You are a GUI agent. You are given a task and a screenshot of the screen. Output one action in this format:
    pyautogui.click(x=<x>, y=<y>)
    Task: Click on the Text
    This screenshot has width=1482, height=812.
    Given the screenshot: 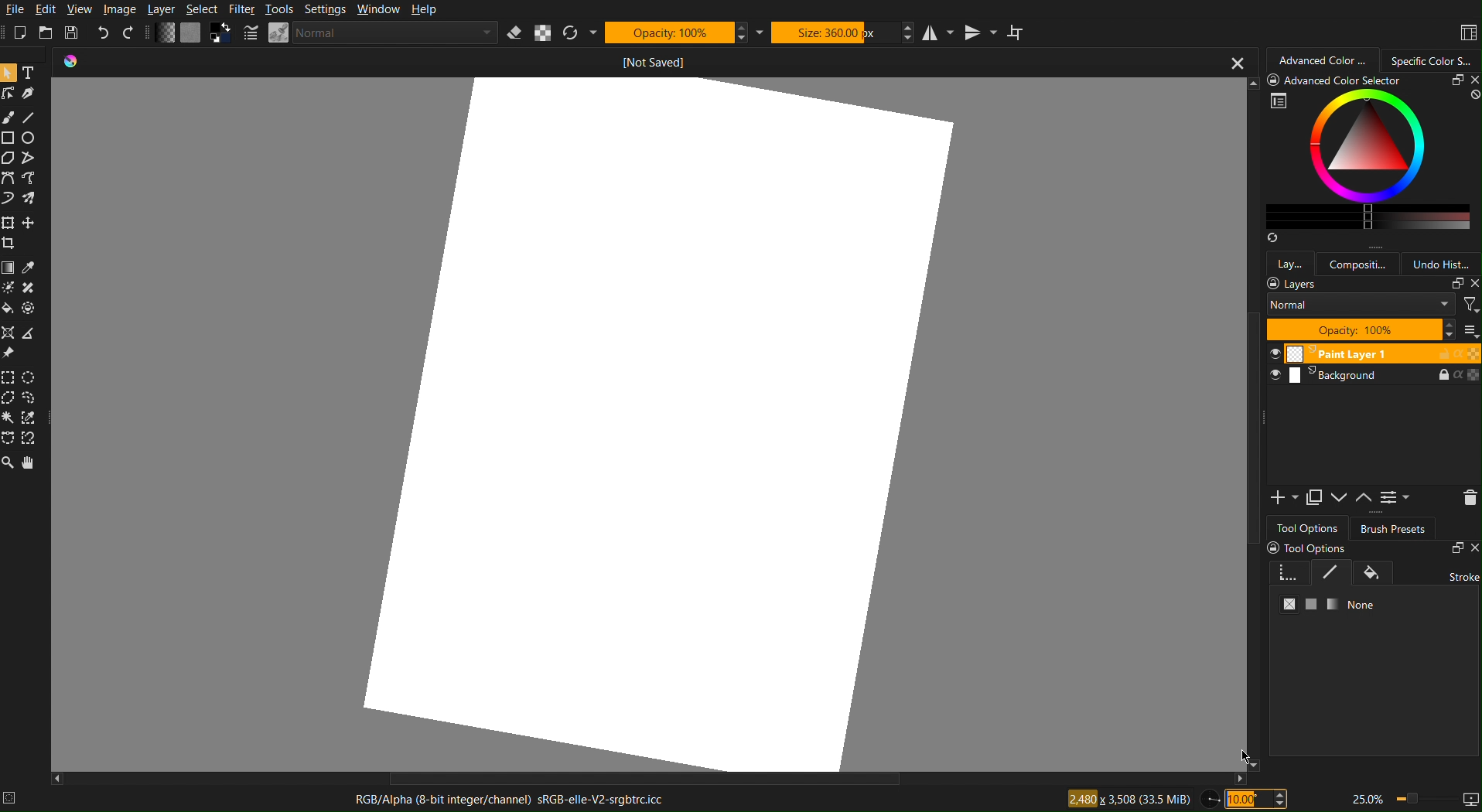 What is the action you would take?
    pyautogui.click(x=30, y=71)
    